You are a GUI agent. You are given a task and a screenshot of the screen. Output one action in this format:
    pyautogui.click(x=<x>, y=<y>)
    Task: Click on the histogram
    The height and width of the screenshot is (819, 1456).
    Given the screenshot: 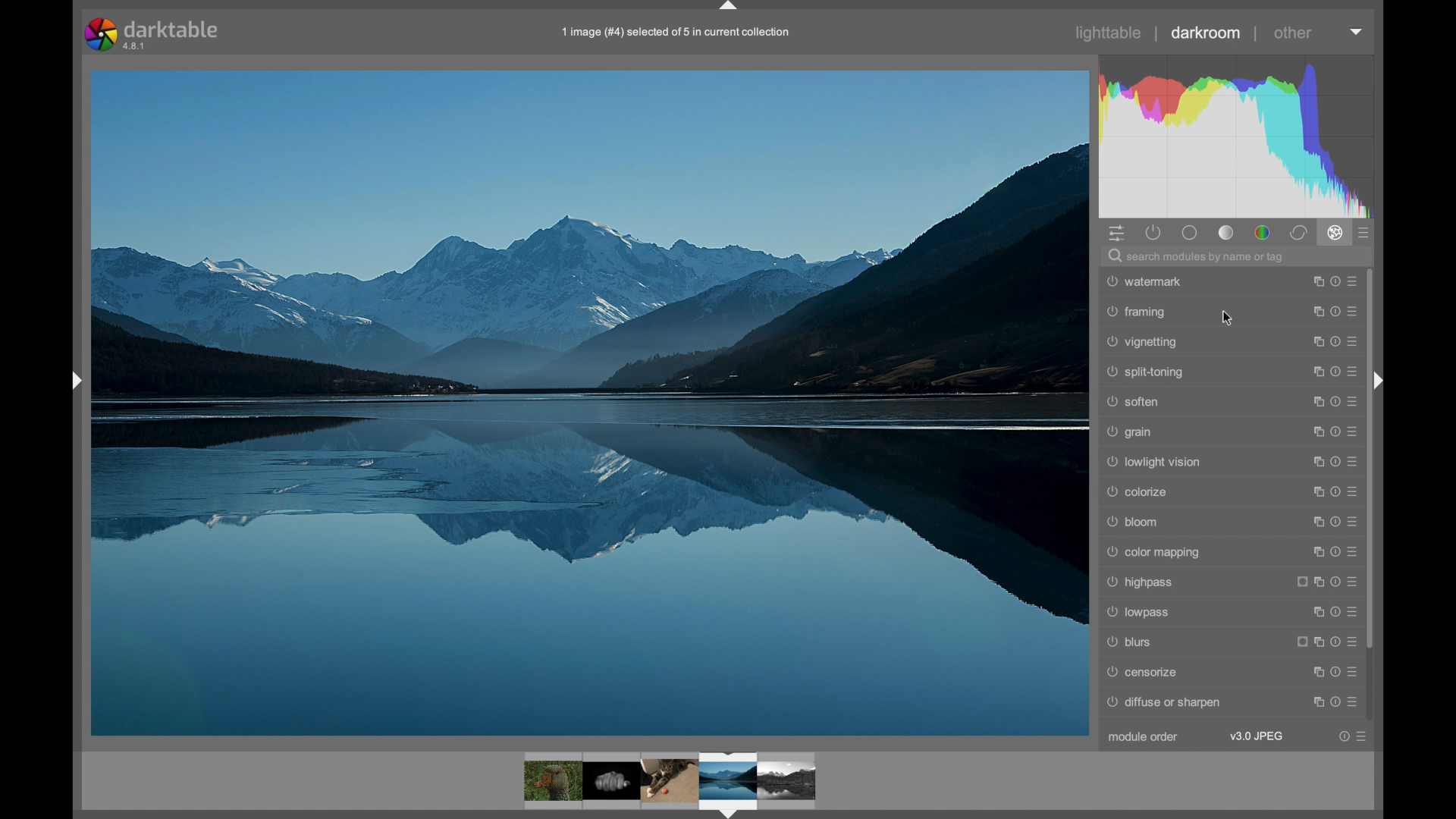 What is the action you would take?
    pyautogui.click(x=1237, y=135)
    